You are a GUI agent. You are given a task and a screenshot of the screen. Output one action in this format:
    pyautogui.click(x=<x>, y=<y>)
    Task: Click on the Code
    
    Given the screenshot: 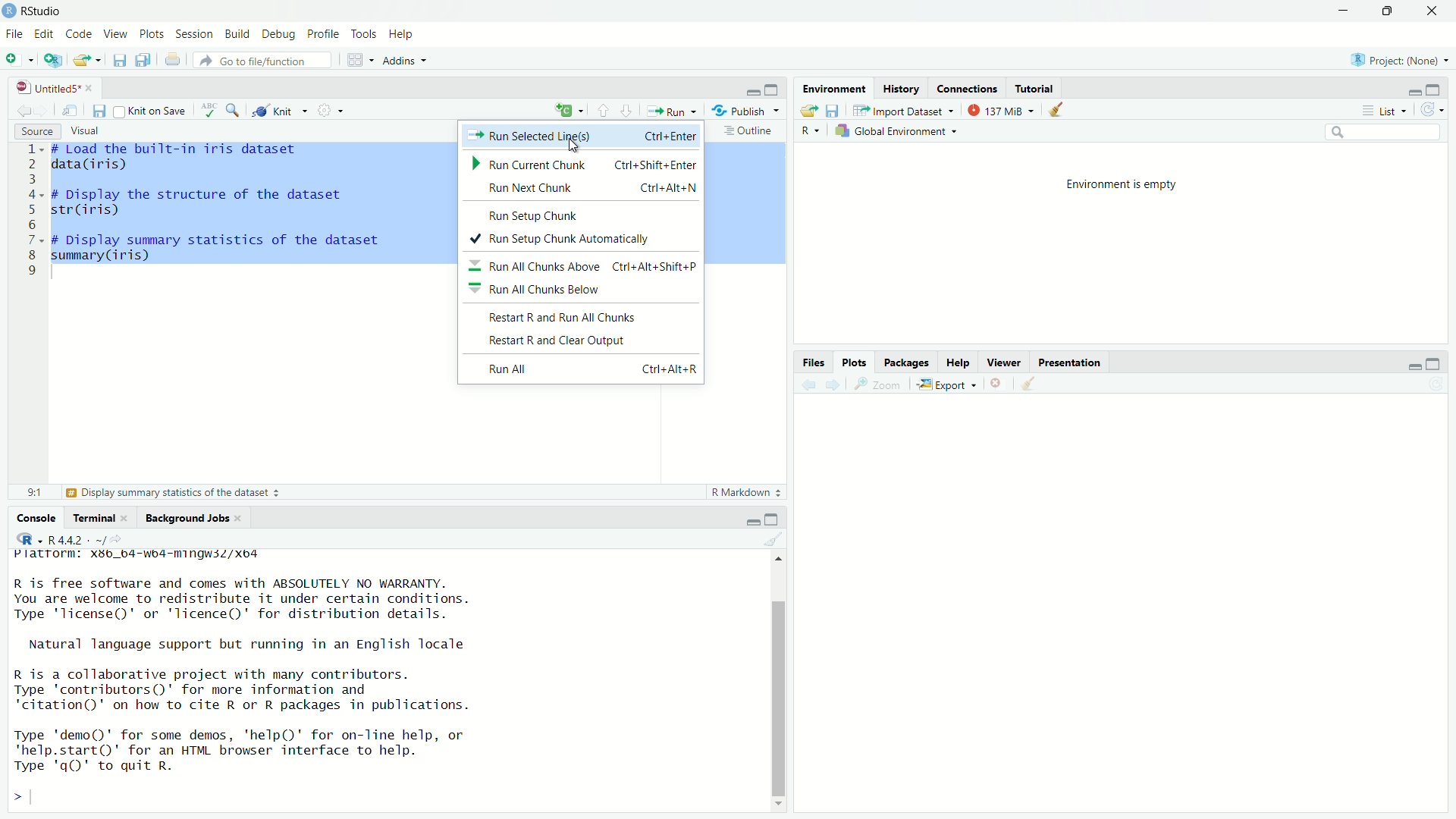 What is the action you would take?
    pyautogui.click(x=78, y=34)
    